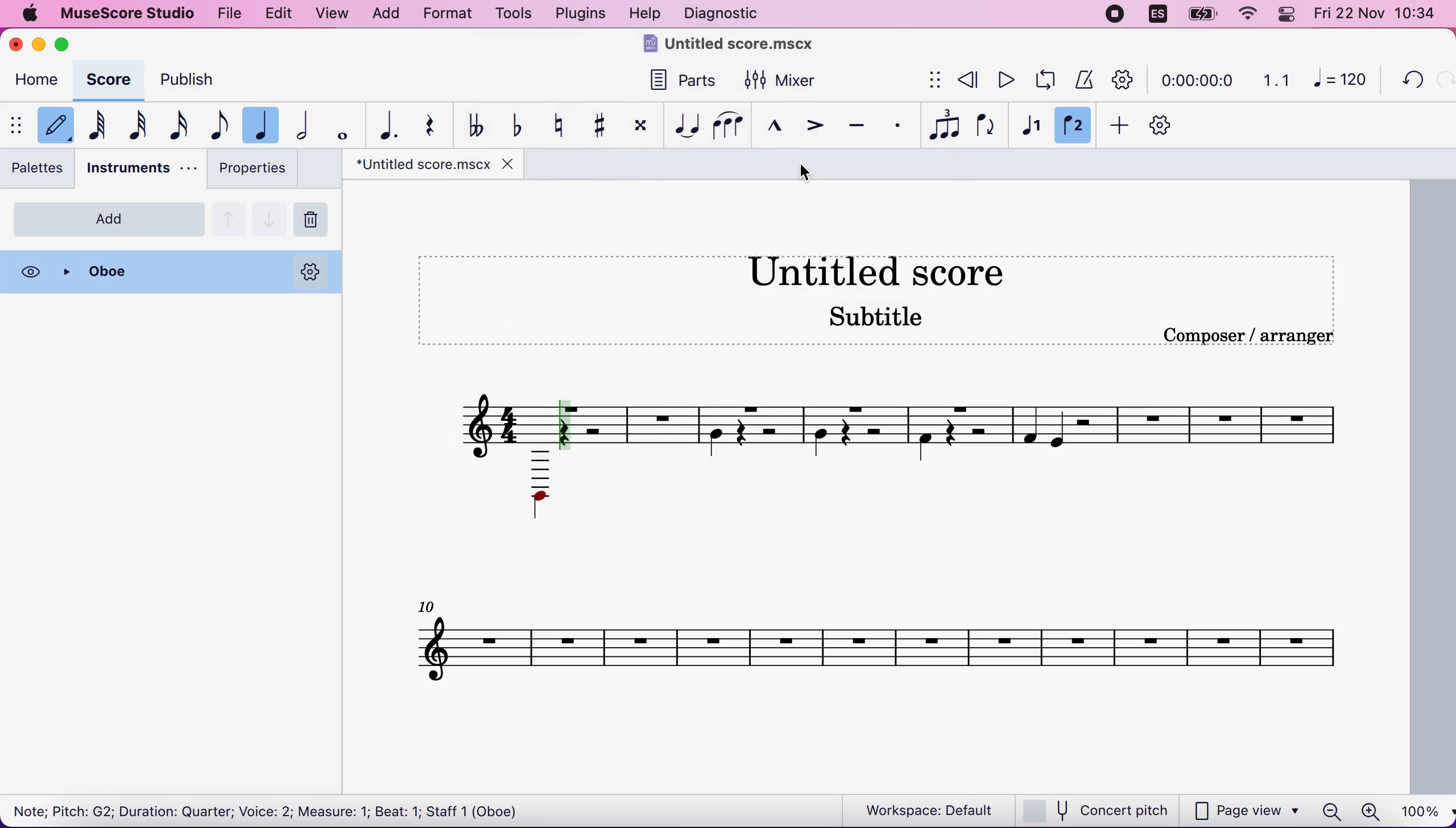 The height and width of the screenshot is (828, 1456). Describe the element at coordinates (38, 80) in the screenshot. I see `home` at that location.